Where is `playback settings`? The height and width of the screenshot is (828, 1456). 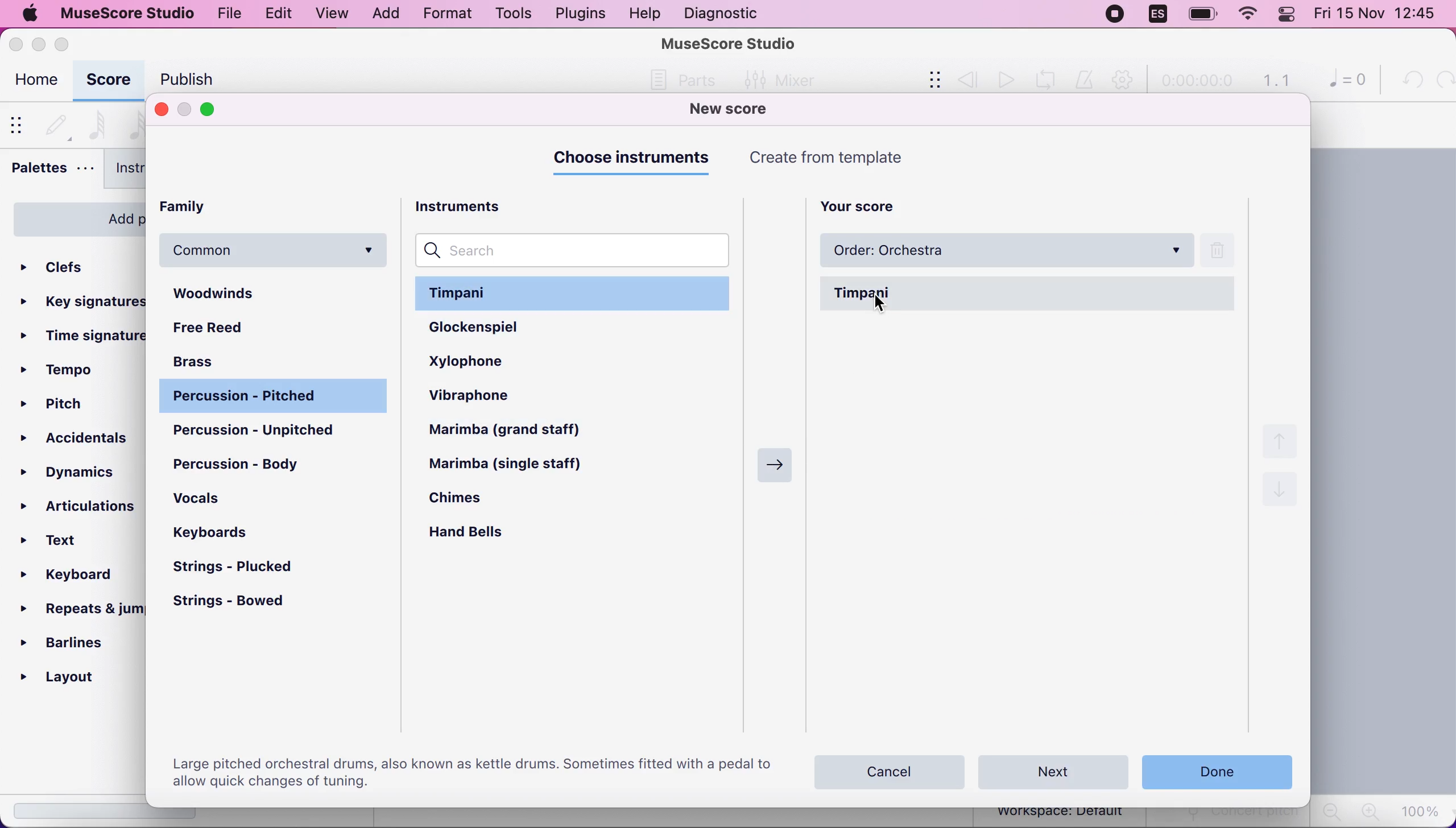
playback settings is located at coordinates (1126, 81).